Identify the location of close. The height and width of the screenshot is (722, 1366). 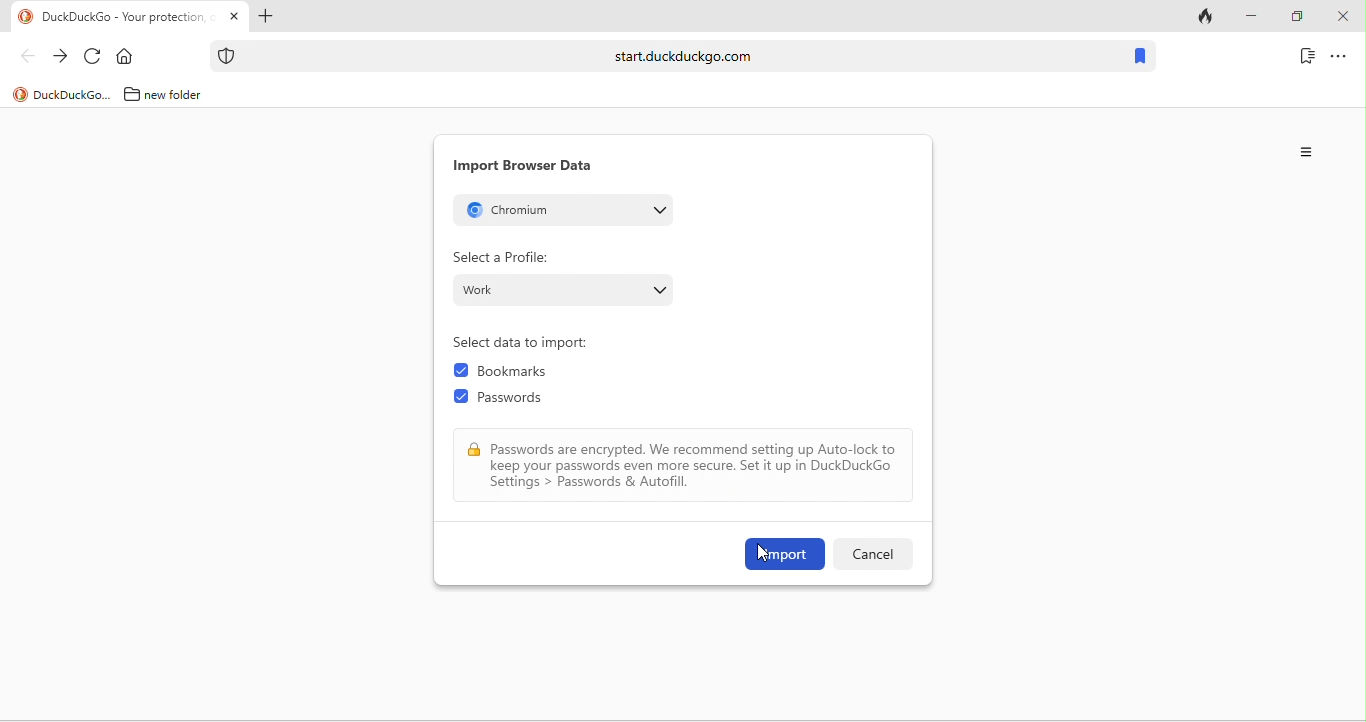
(1342, 17).